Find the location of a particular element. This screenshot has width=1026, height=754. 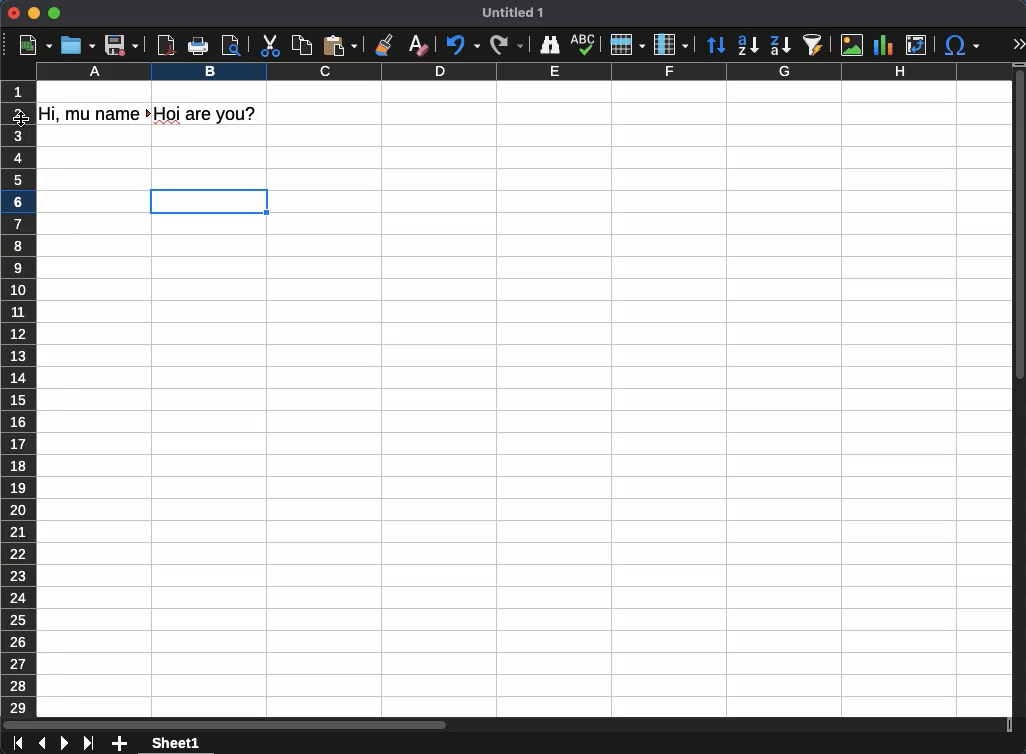

first sheet is located at coordinates (20, 743).